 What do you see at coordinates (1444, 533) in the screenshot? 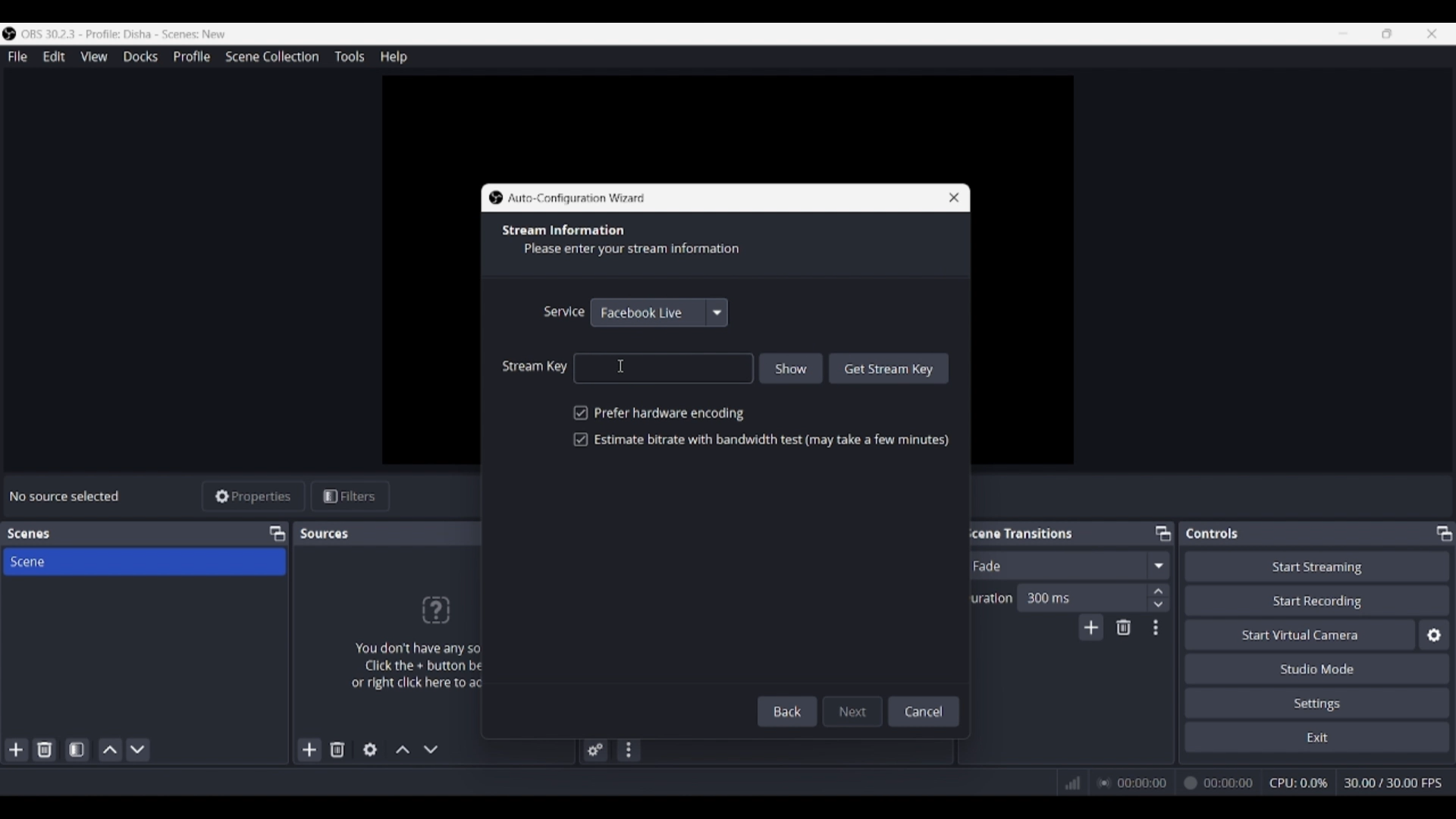
I see `Float controls panel` at bounding box center [1444, 533].